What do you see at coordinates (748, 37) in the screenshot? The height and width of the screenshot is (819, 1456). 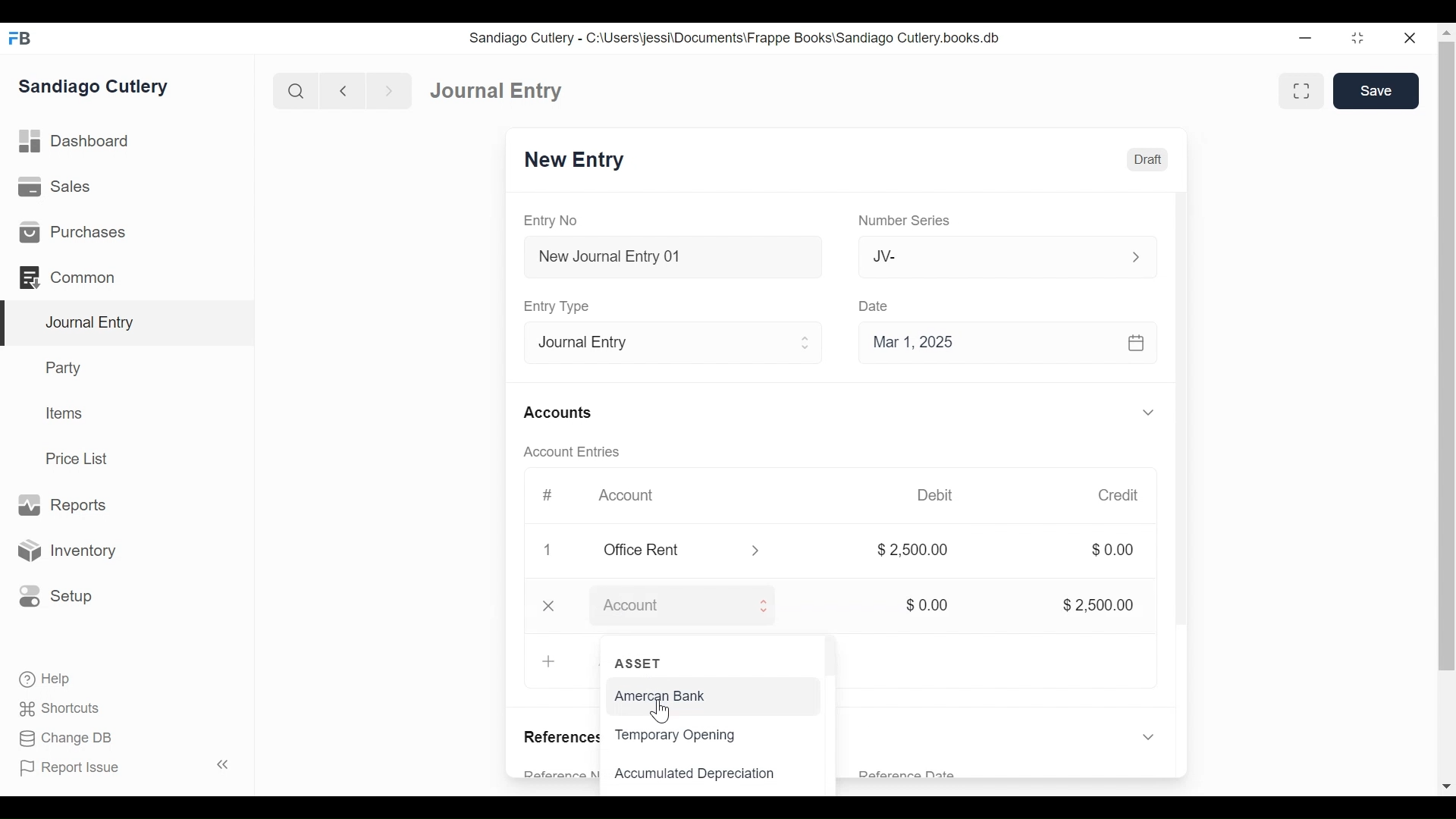 I see `Sandiago Cutlery - C:\Users\jessi\Documents\Frappe Books\Sandiago Cutlery.books.db` at bounding box center [748, 37].